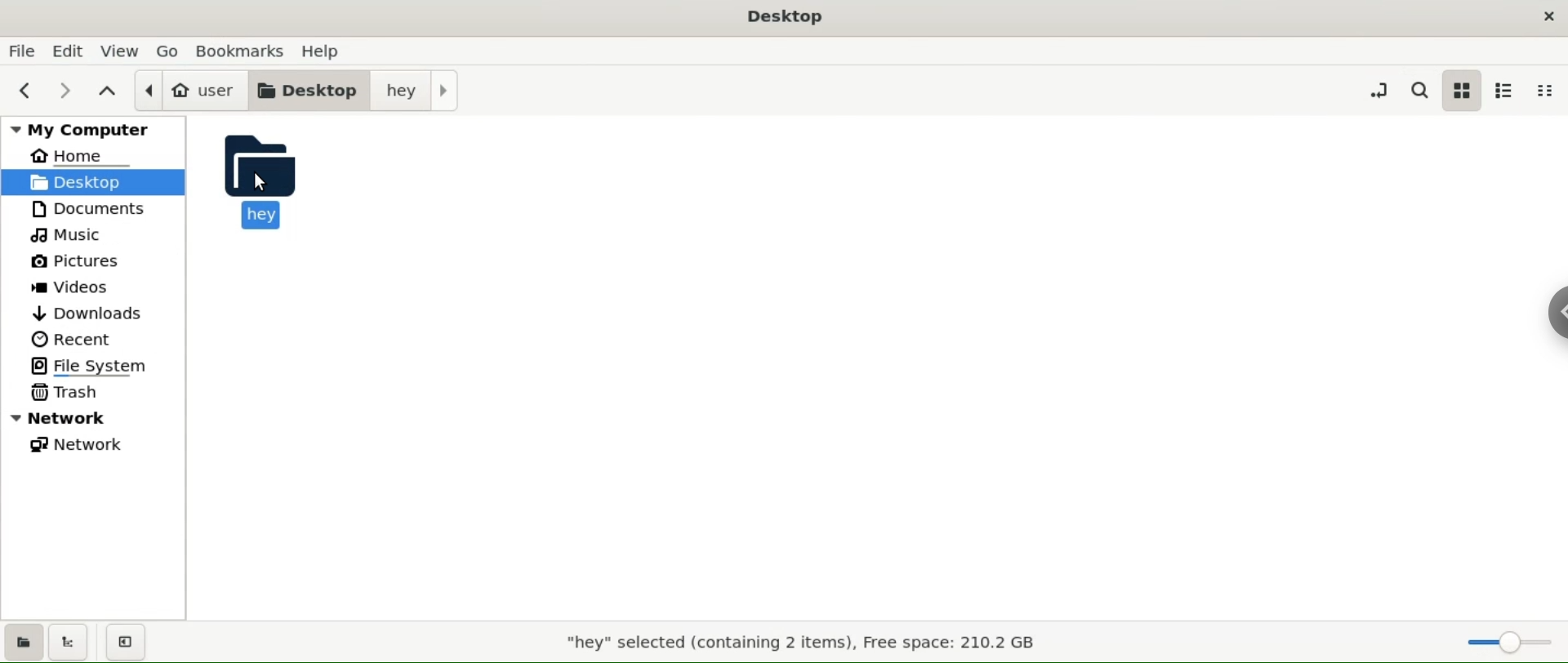 The width and height of the screenshot is (1568, 663). I want to click on user, so click(184, 91).